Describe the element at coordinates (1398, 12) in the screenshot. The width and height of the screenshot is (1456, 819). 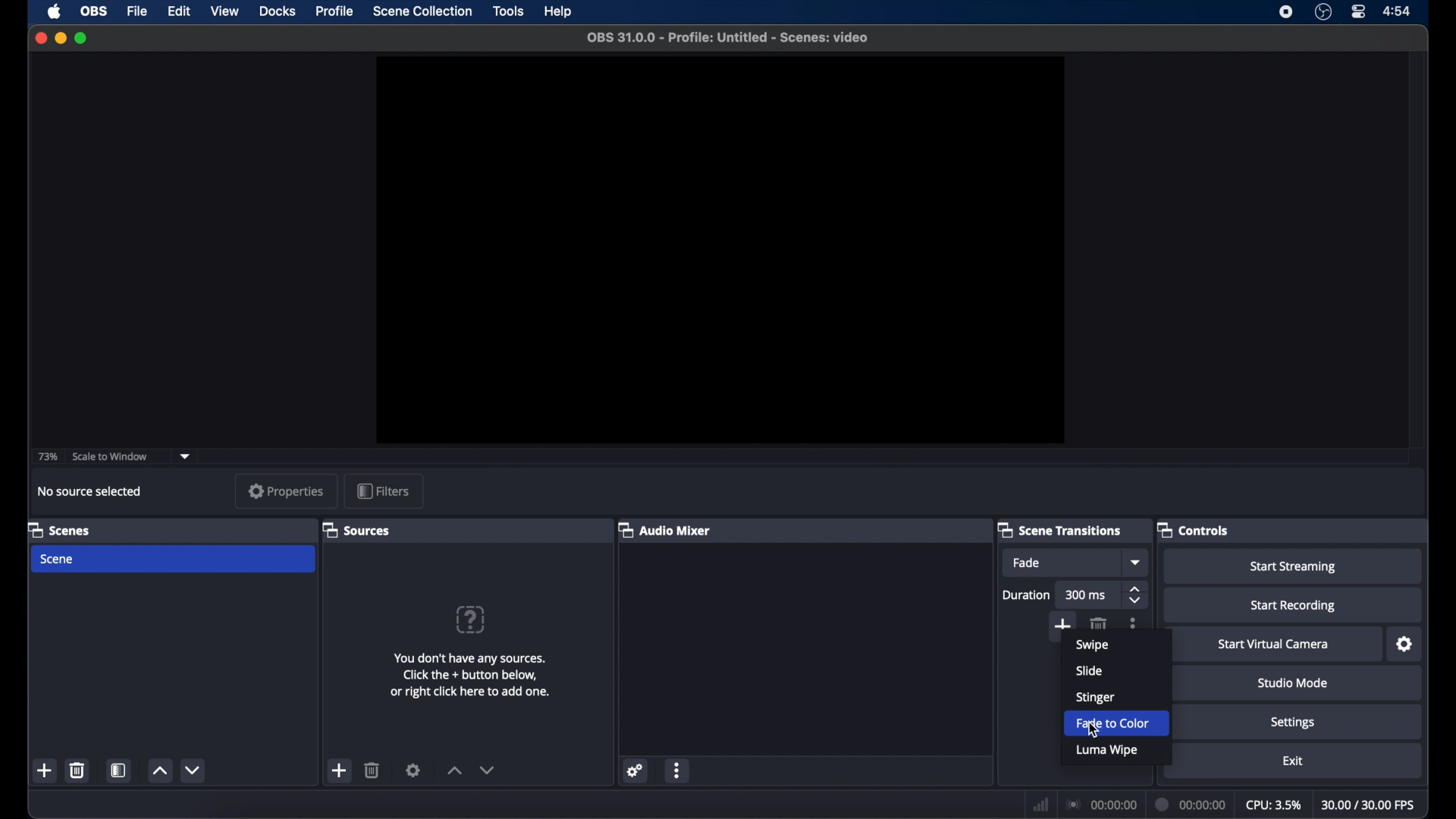
I see `time` at that location.